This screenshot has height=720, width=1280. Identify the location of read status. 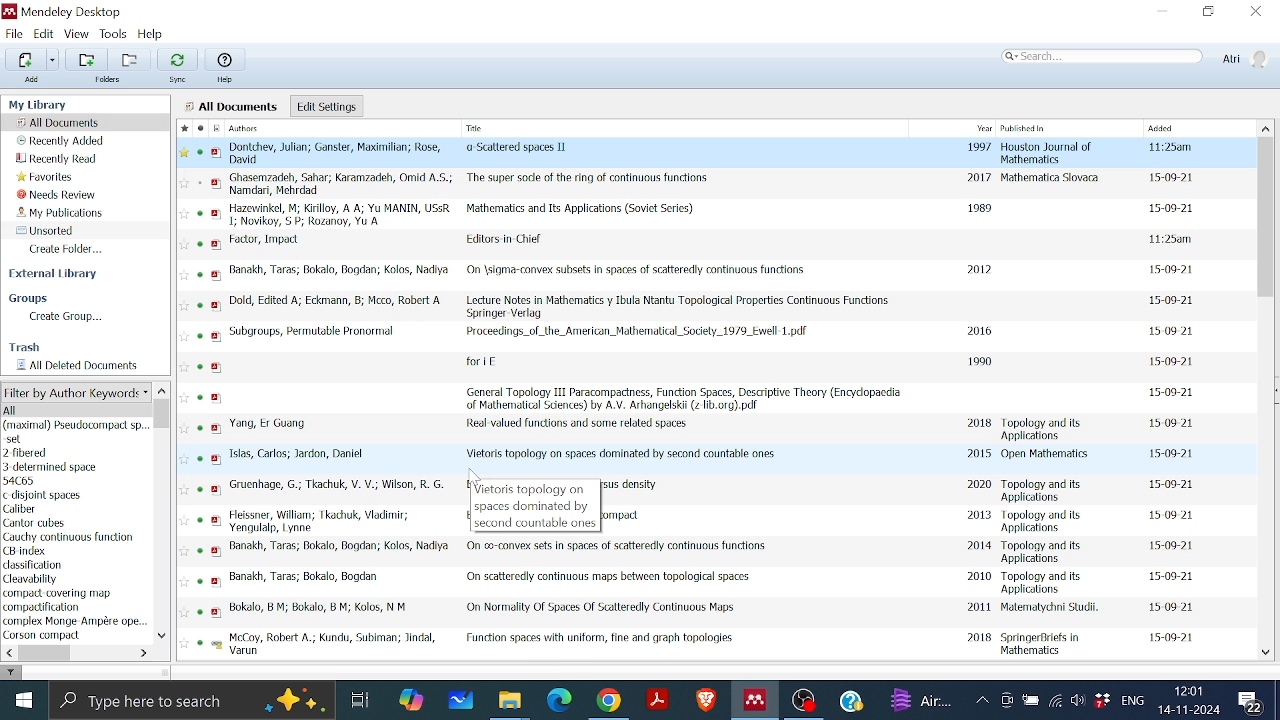
(200, 275).